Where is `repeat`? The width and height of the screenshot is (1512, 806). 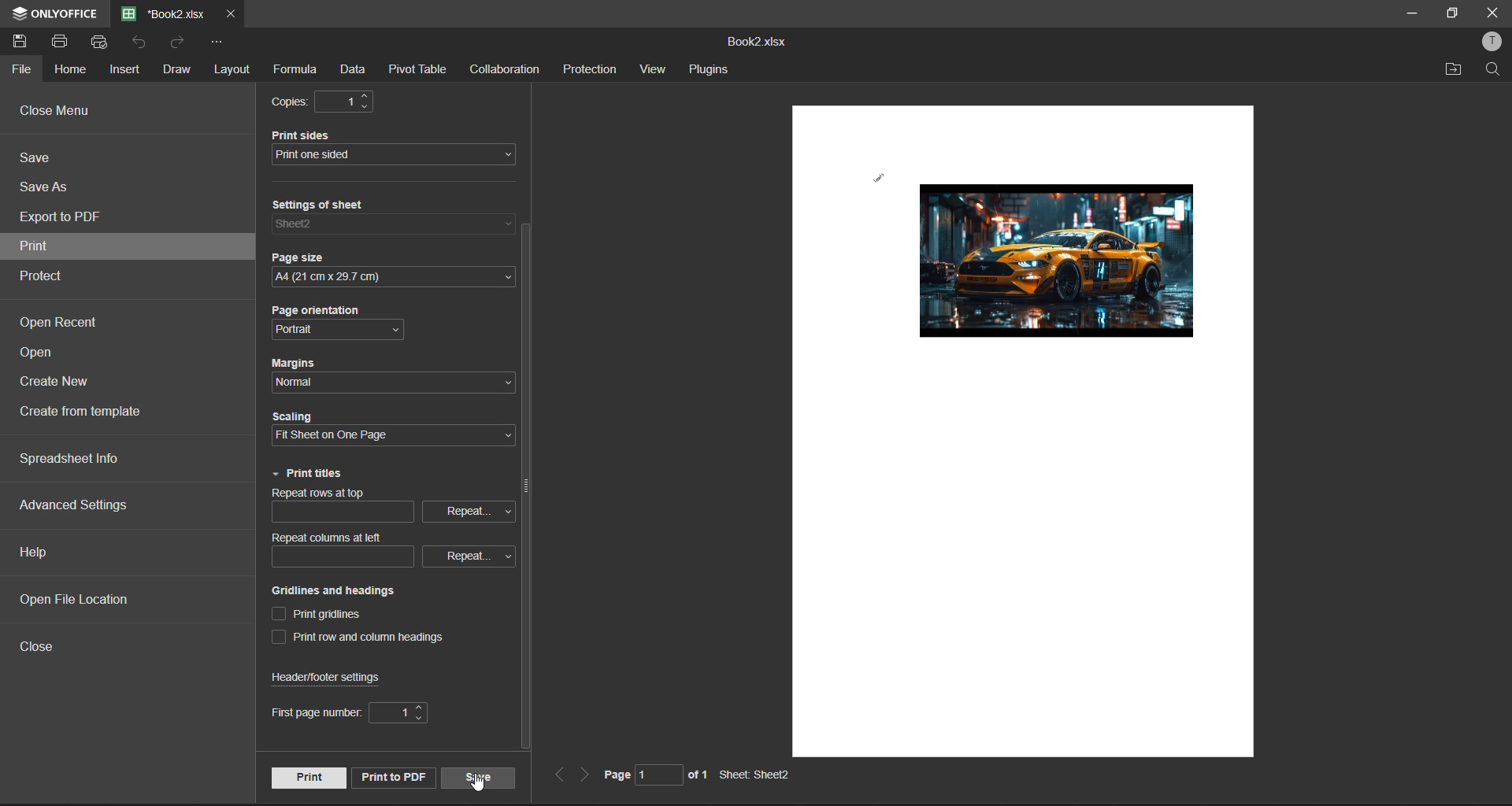 repeat is located at coordinates (463, 555).